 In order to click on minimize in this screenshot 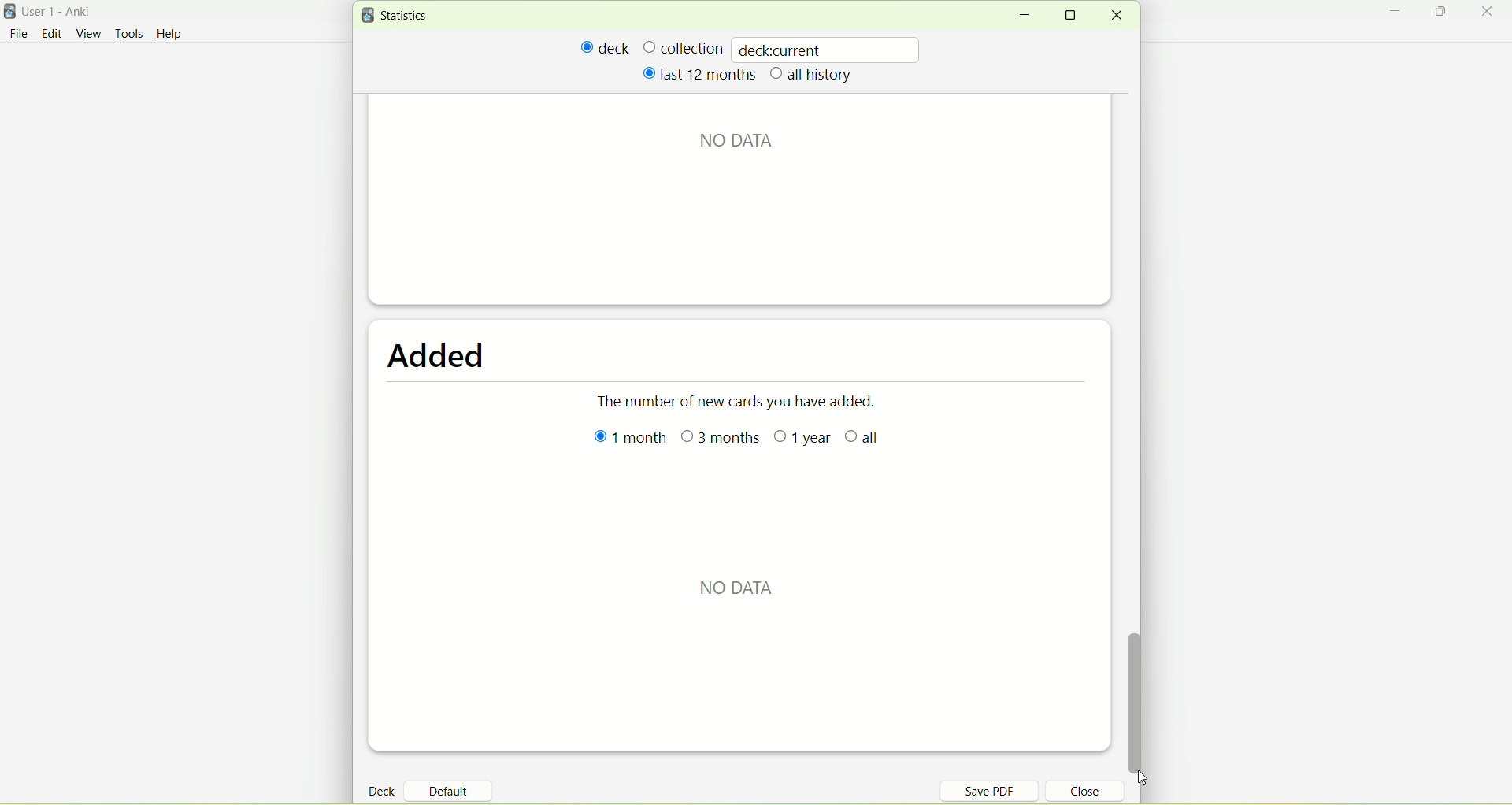, I will do `click(1024, 16)`.